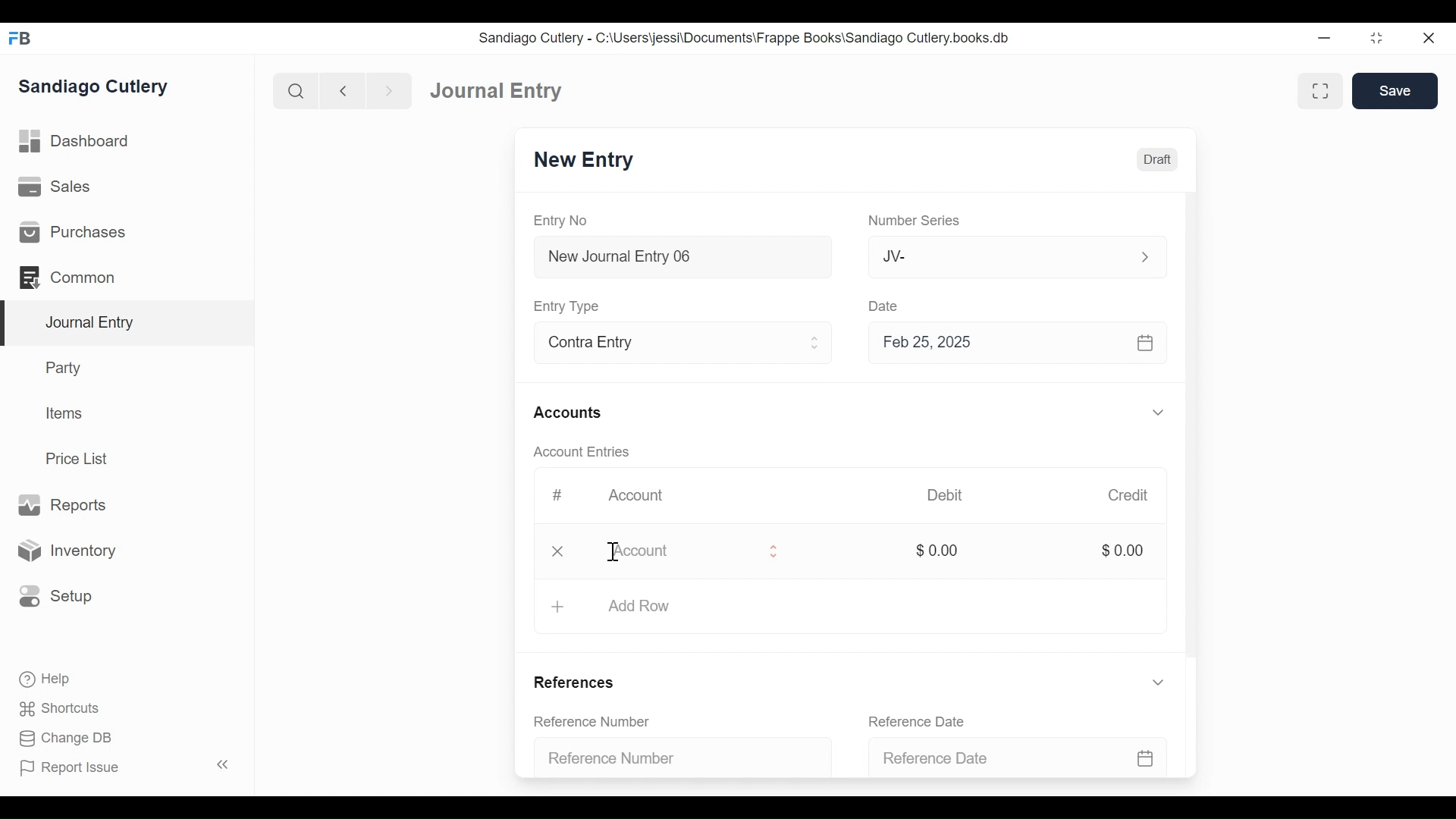 Image resolution: width=1456 pixels, height=819 pixels. What do you see at coordinates (580, 683) in the screenshot?
I see `References` at bounding box center [580, 683].